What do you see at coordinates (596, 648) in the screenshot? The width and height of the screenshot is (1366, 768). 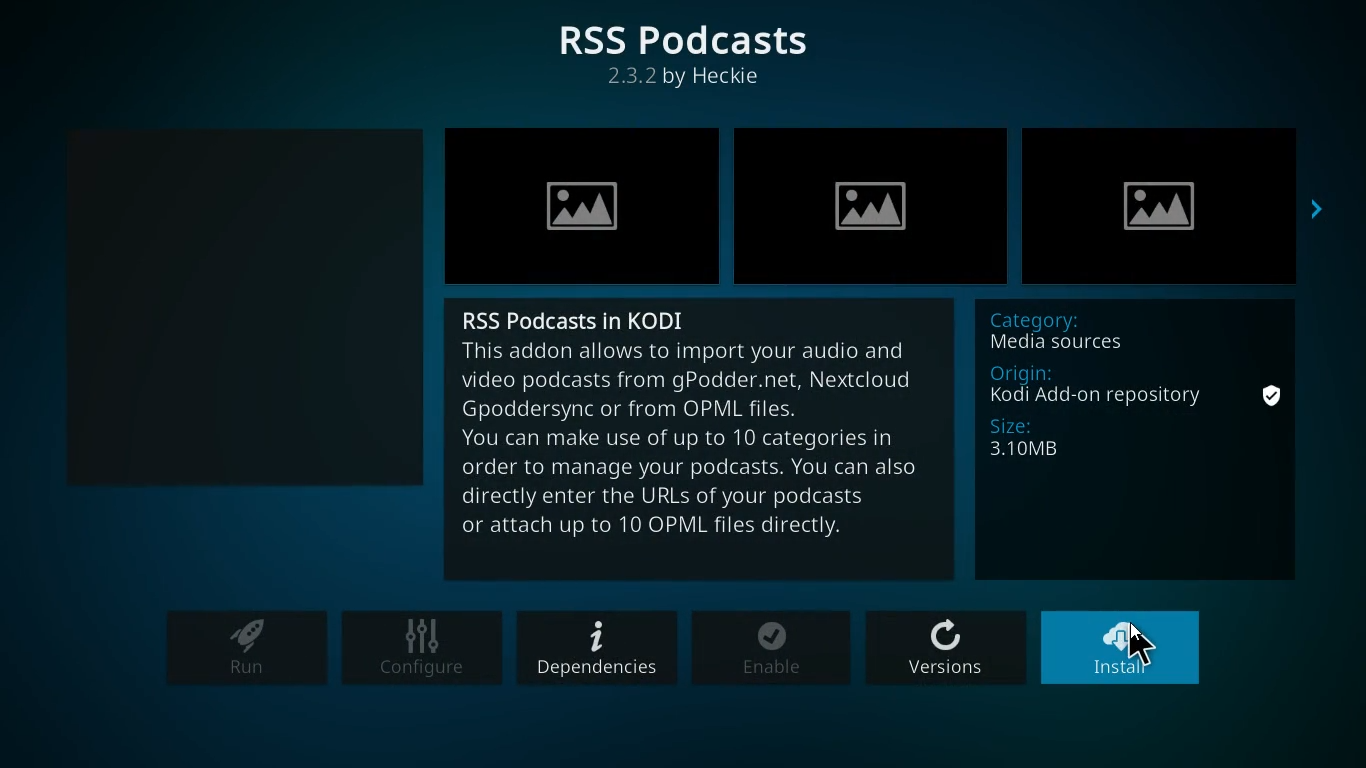 I see `dependencies` at bounding box center [596, 648].